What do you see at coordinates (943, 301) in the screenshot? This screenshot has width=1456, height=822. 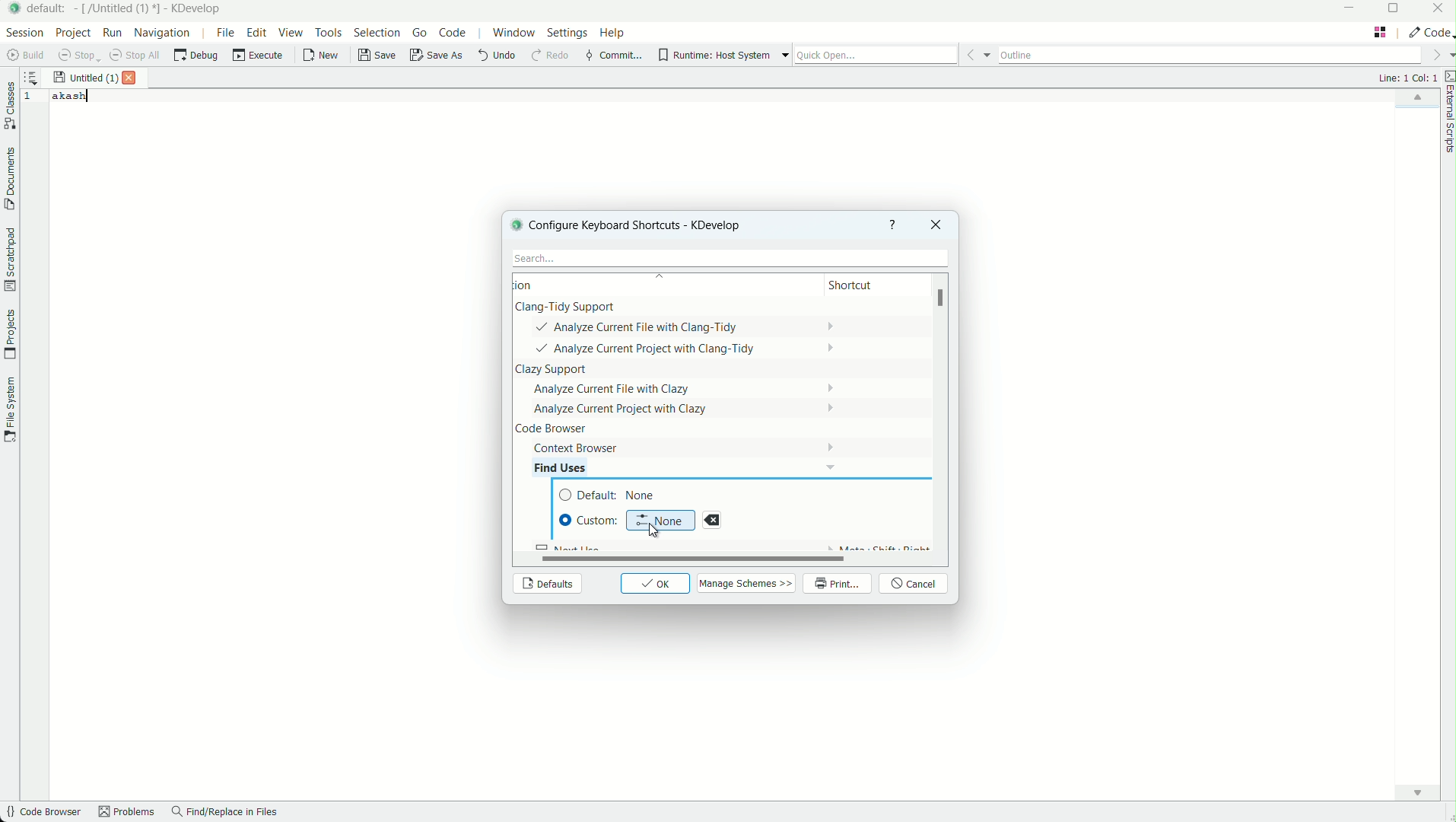 I see `scroll bar` at bounding box center [943, 301].